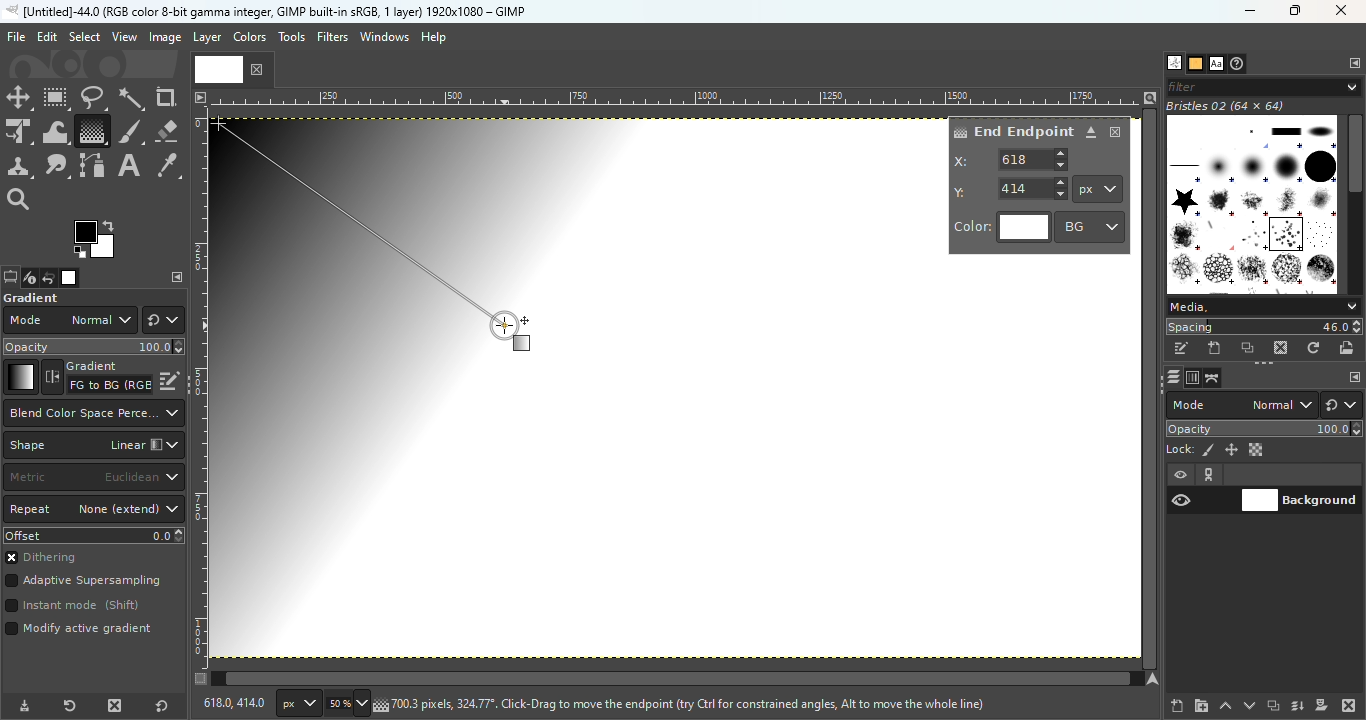 Image resolution: width=1366 pixels, height=720 pixels. Describe the element at coordinates (200, 387) in the screenshot. I see `Vertical ruler` at that location.